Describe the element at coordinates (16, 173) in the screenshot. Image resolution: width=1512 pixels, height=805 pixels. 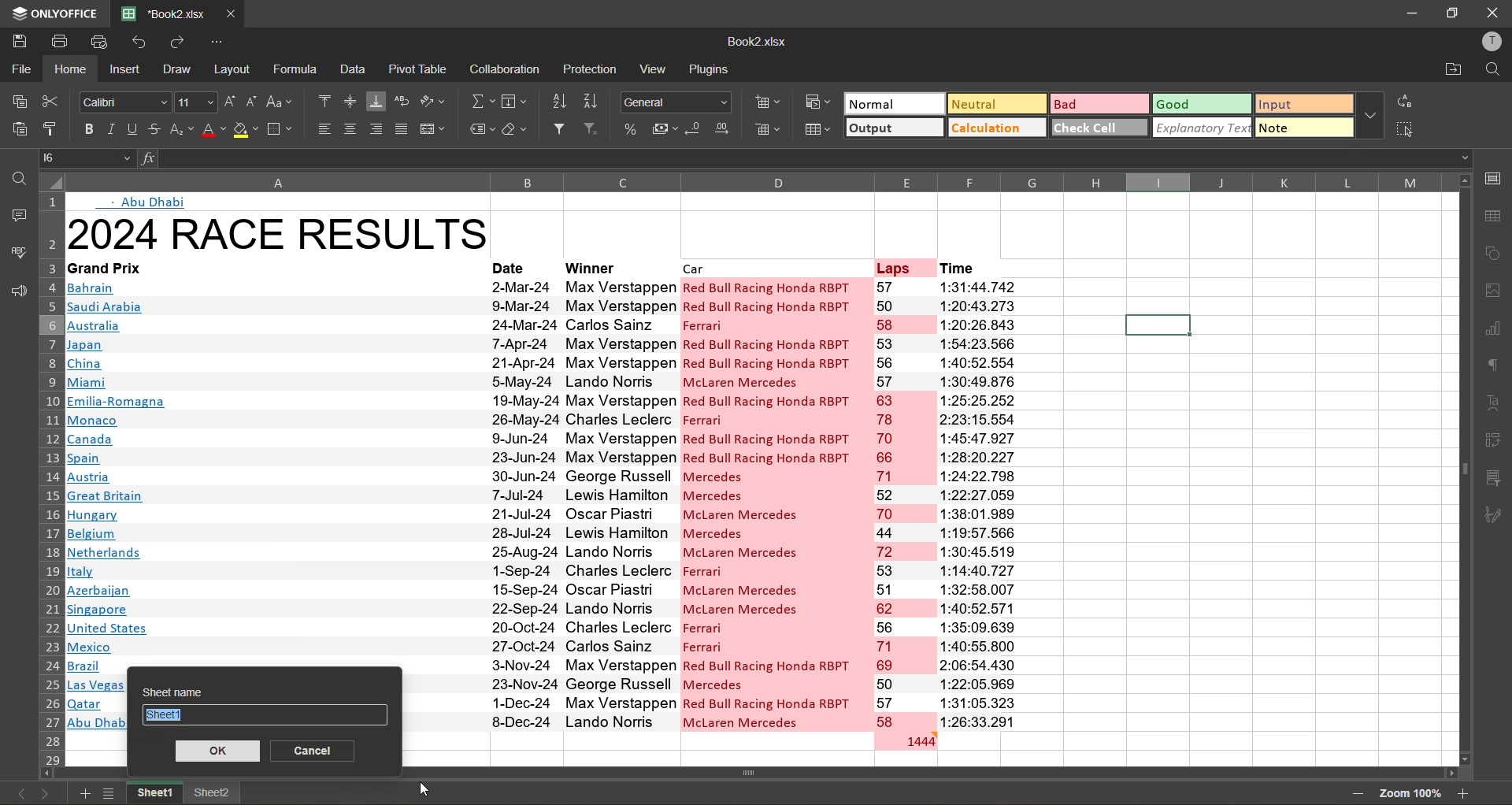
I see `find` at that location.